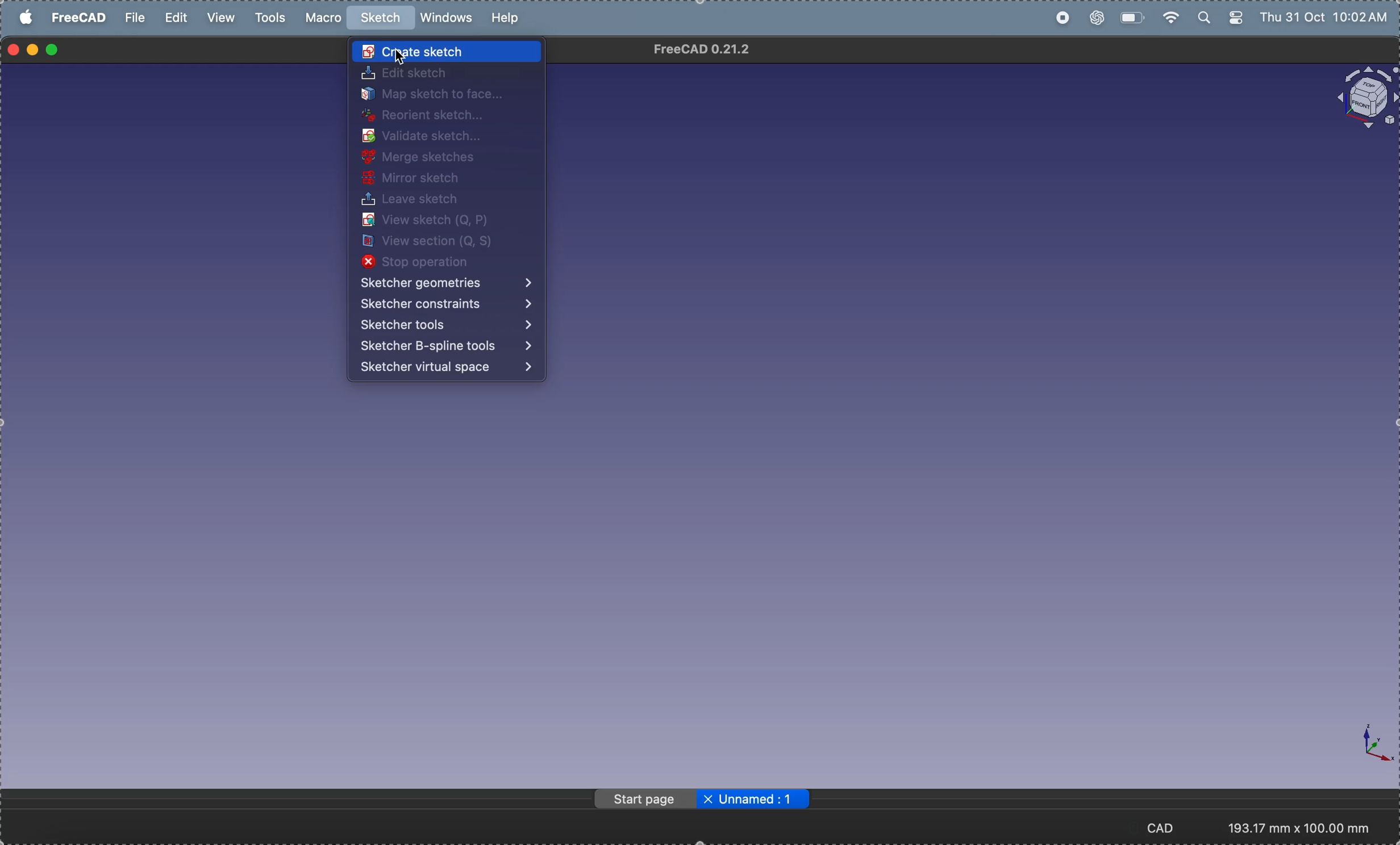 Image resolution: width=1400 pixels, height=845 pixels. I want to click on free cad, so click(81, 17).